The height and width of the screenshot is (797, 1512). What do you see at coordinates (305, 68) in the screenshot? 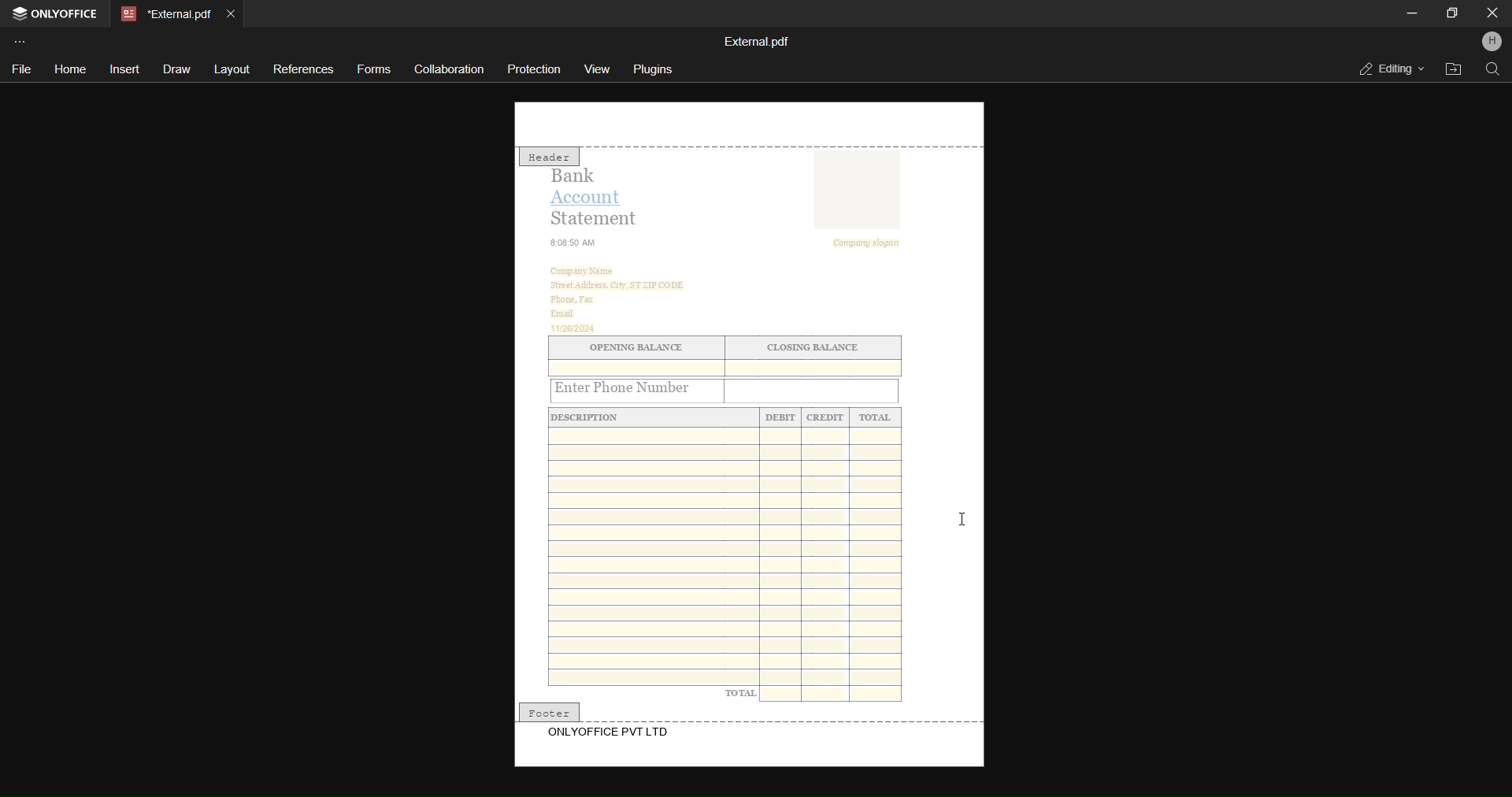
I see `references` at bounding box center [305, 68].